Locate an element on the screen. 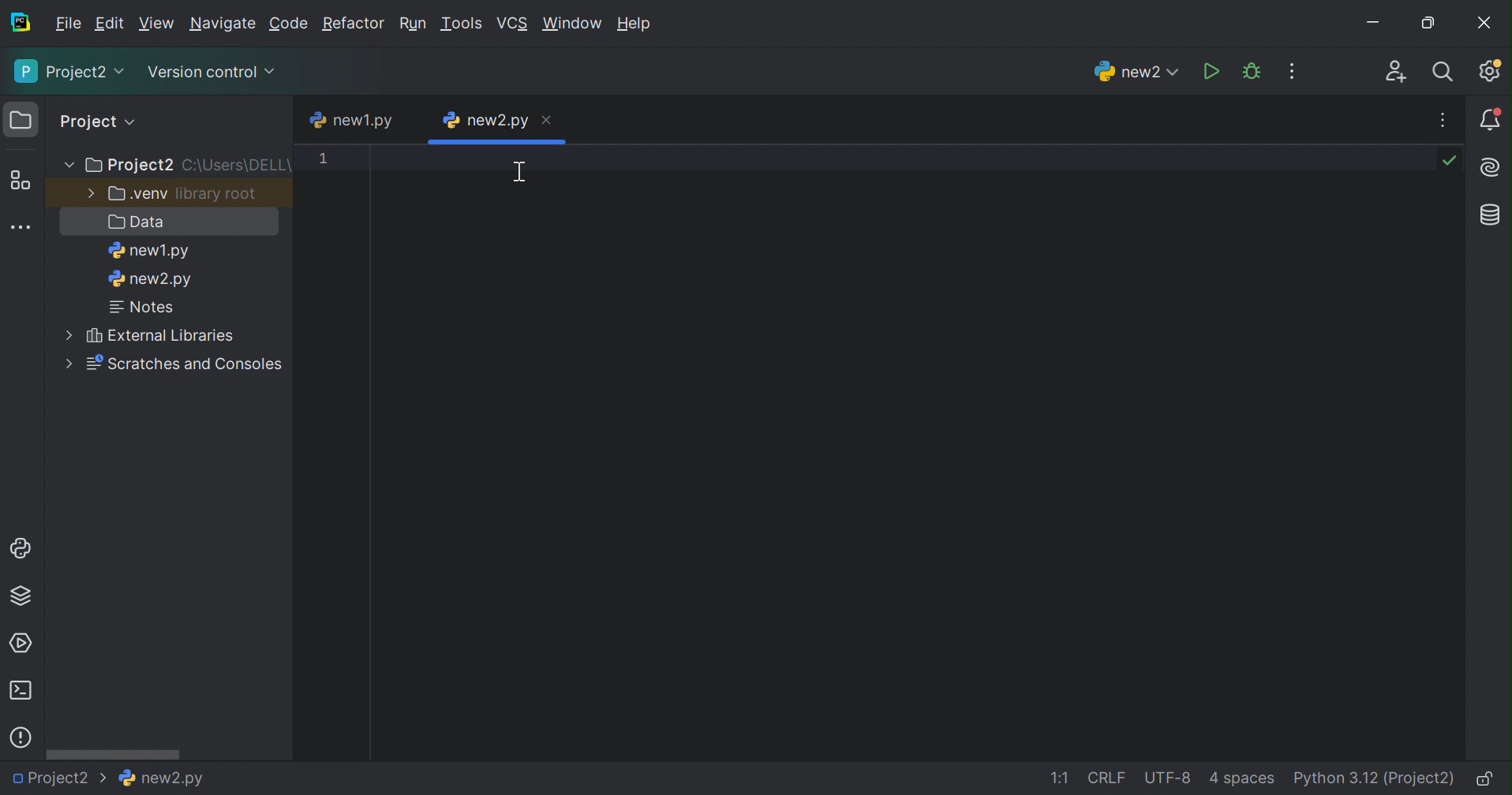 The width and height of the screenshot is (1512, 795). Project2 is located at coordinates (58, 782).